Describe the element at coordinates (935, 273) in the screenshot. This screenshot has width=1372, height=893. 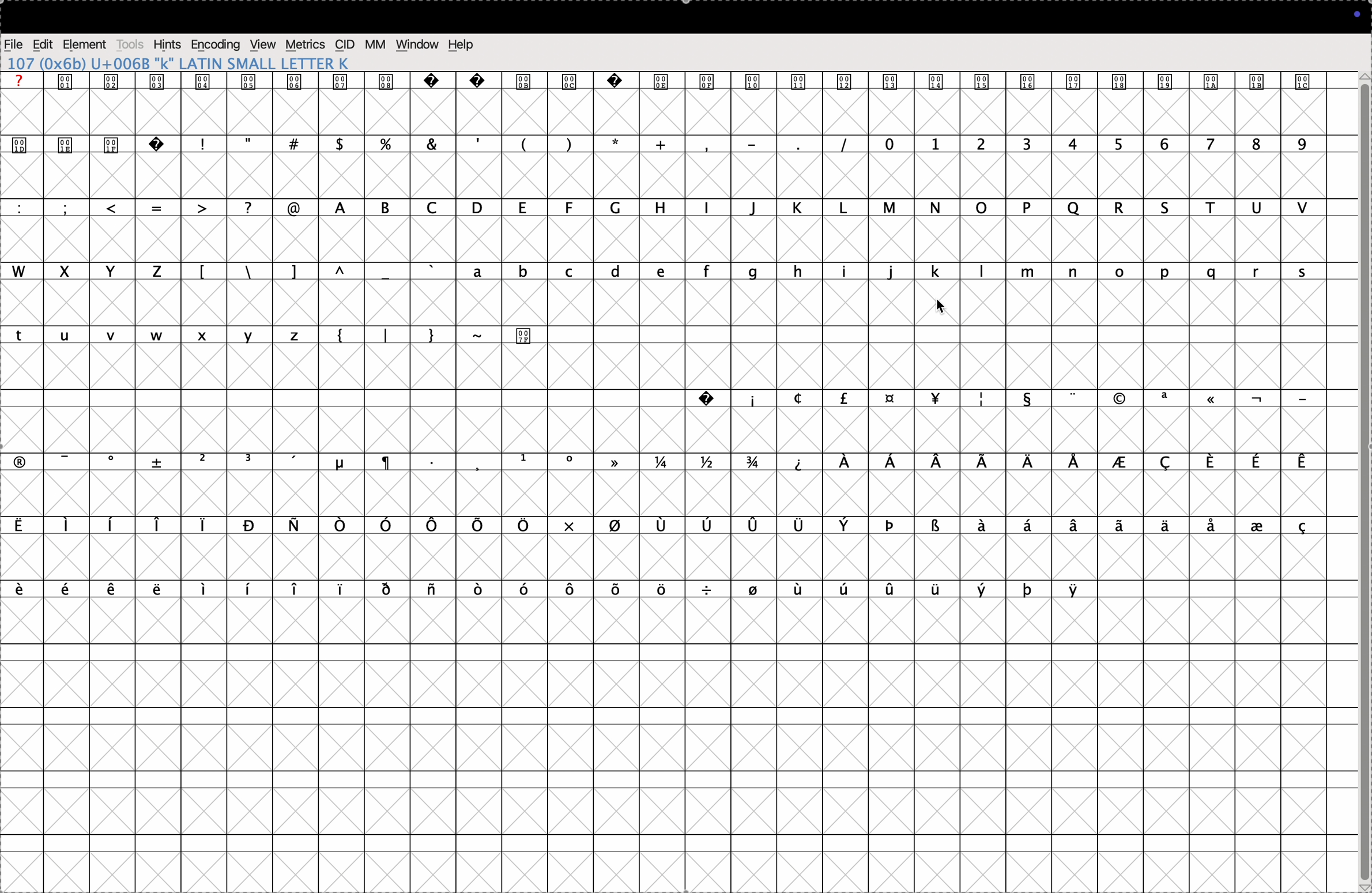
I see `k` at that location.